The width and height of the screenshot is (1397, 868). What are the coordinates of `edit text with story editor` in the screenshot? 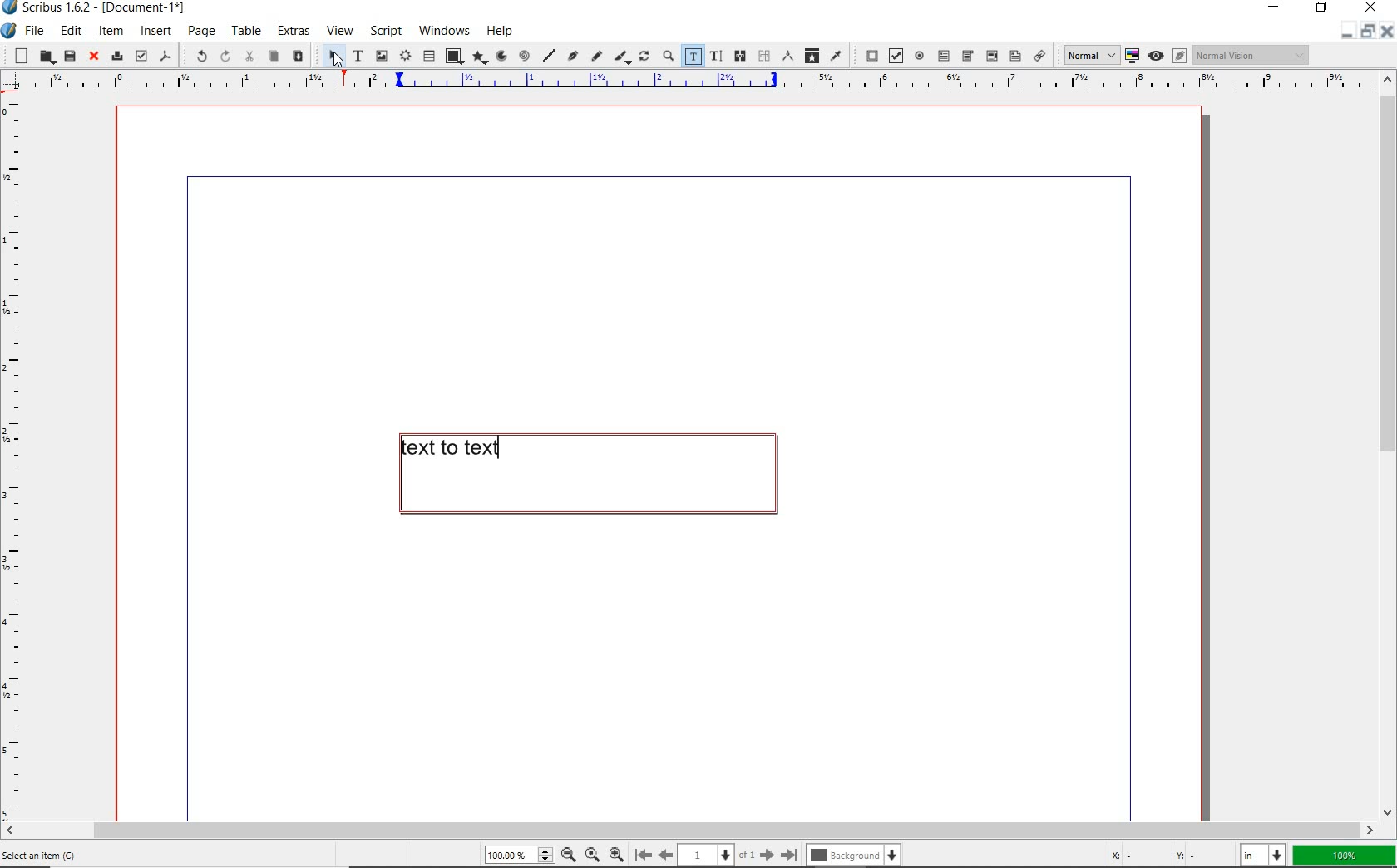 It's located at (715, 56).